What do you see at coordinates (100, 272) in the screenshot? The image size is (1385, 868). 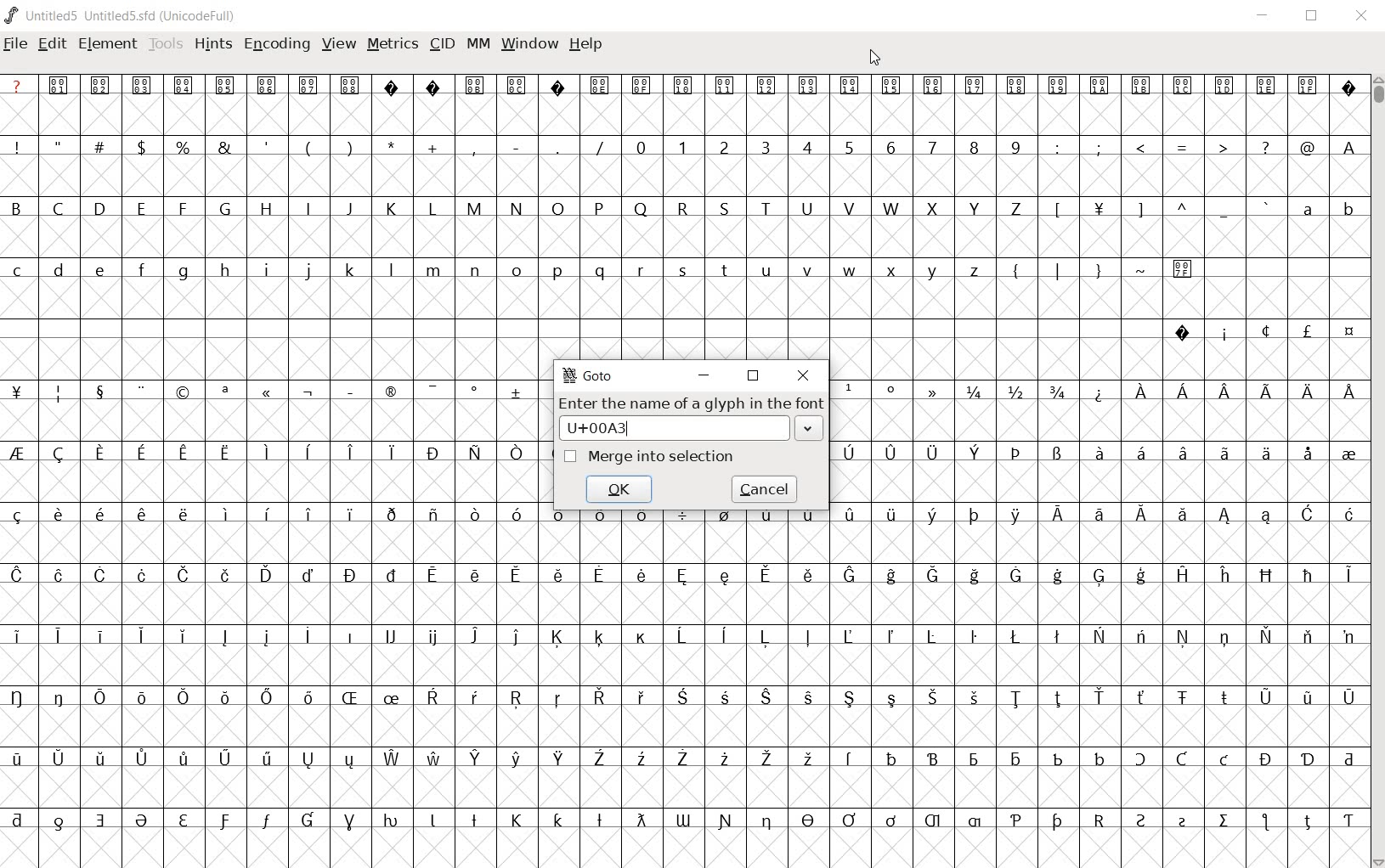 I see `` at bounding box center [100, 272].